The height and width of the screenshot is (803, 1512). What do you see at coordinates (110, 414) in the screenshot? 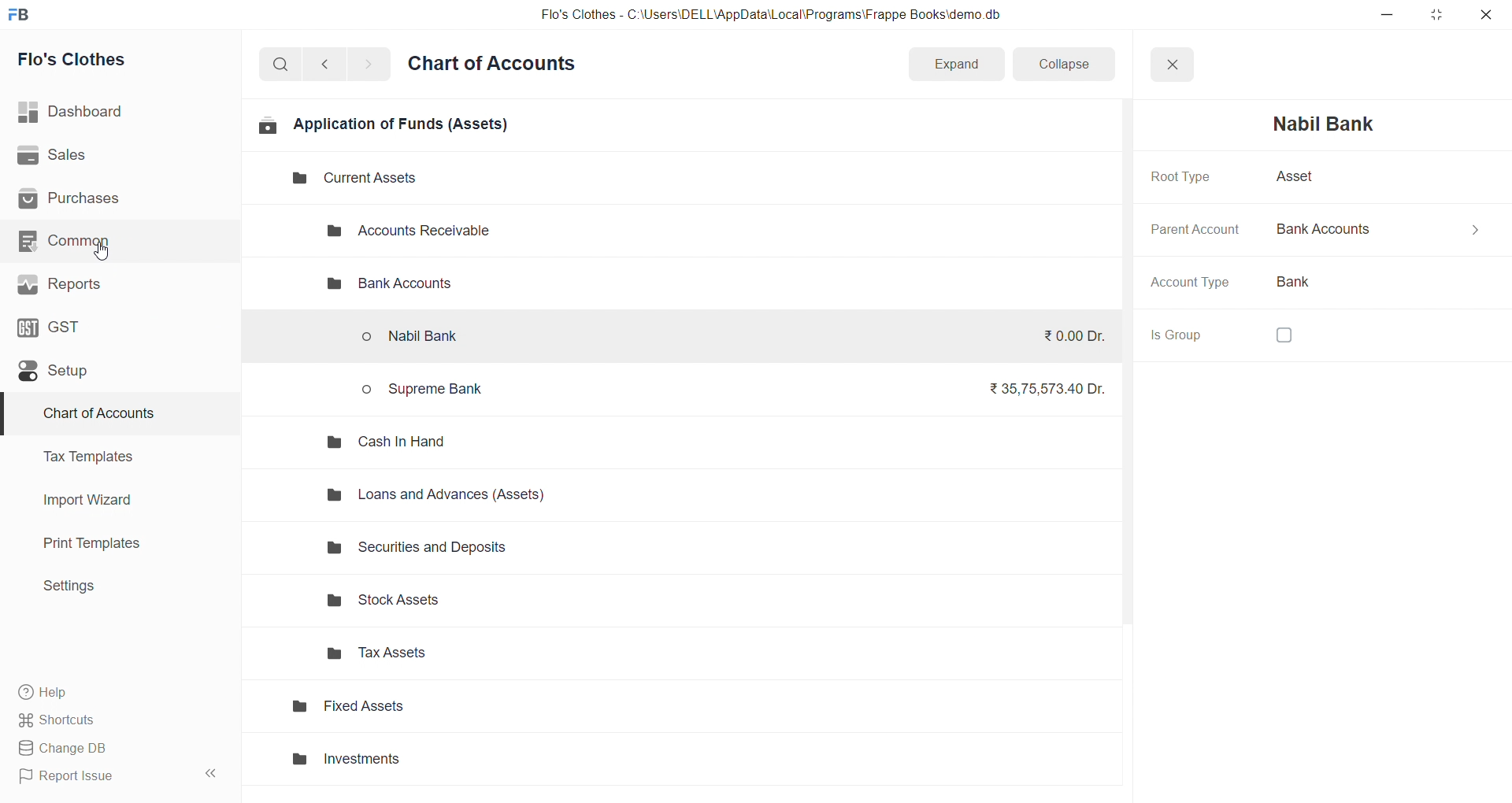
I see `Chart of Accounts` at bounding box center [110, 414].